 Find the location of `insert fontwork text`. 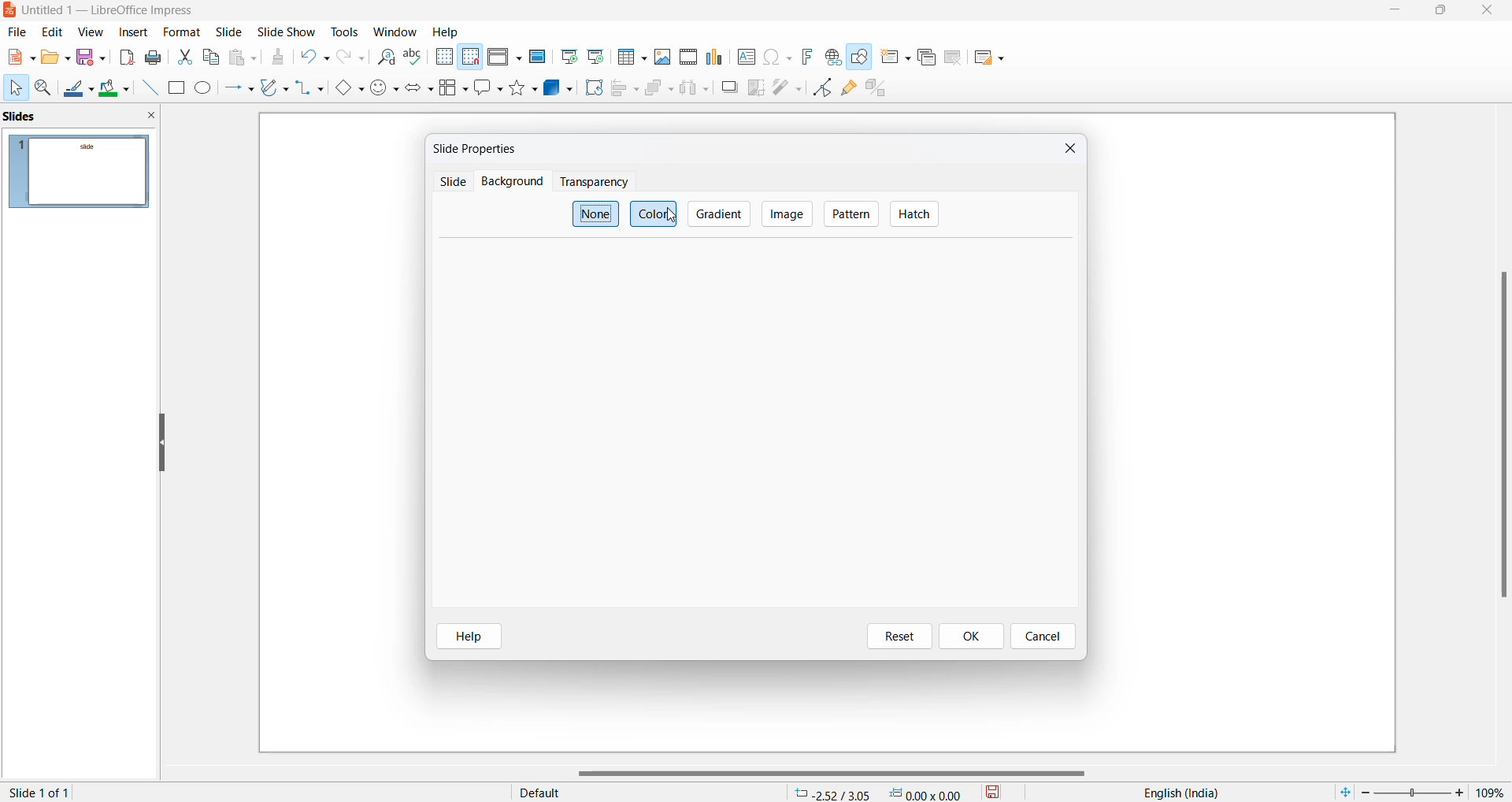

insert fontwork text is located at coordinates (806, 56).